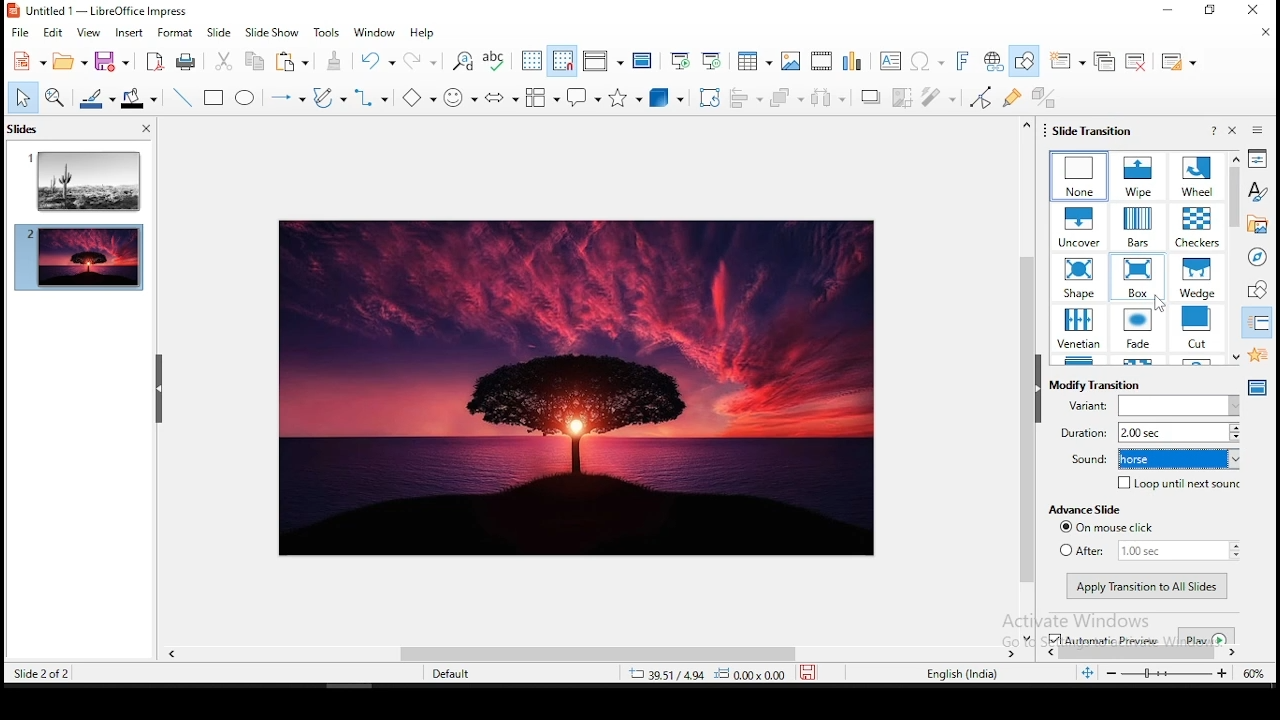 This screenshot has width=1280, height=720. Describe the element at coordinates (578, 389) in the screenshot. I see `image` at that location.